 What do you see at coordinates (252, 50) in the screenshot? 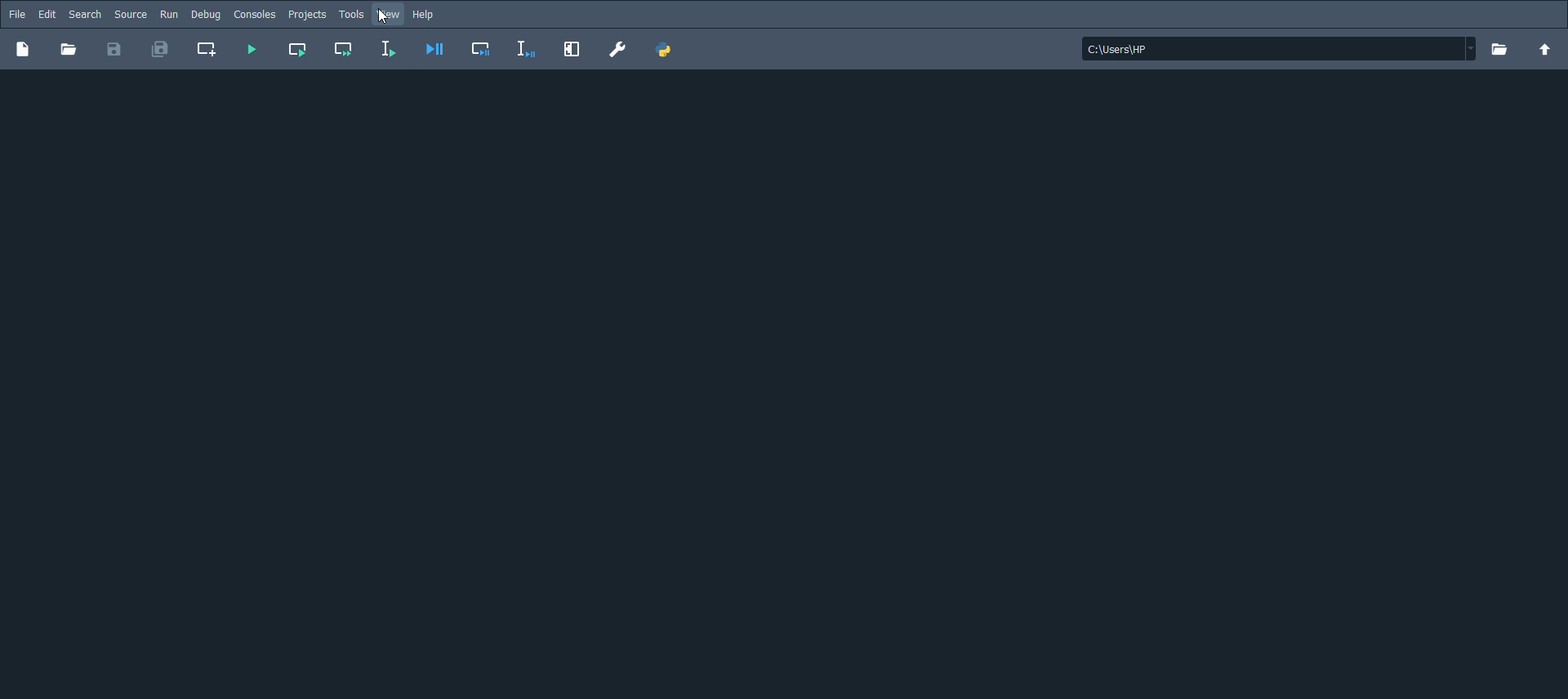
I see `Run file` at bounding box center [252, 50].